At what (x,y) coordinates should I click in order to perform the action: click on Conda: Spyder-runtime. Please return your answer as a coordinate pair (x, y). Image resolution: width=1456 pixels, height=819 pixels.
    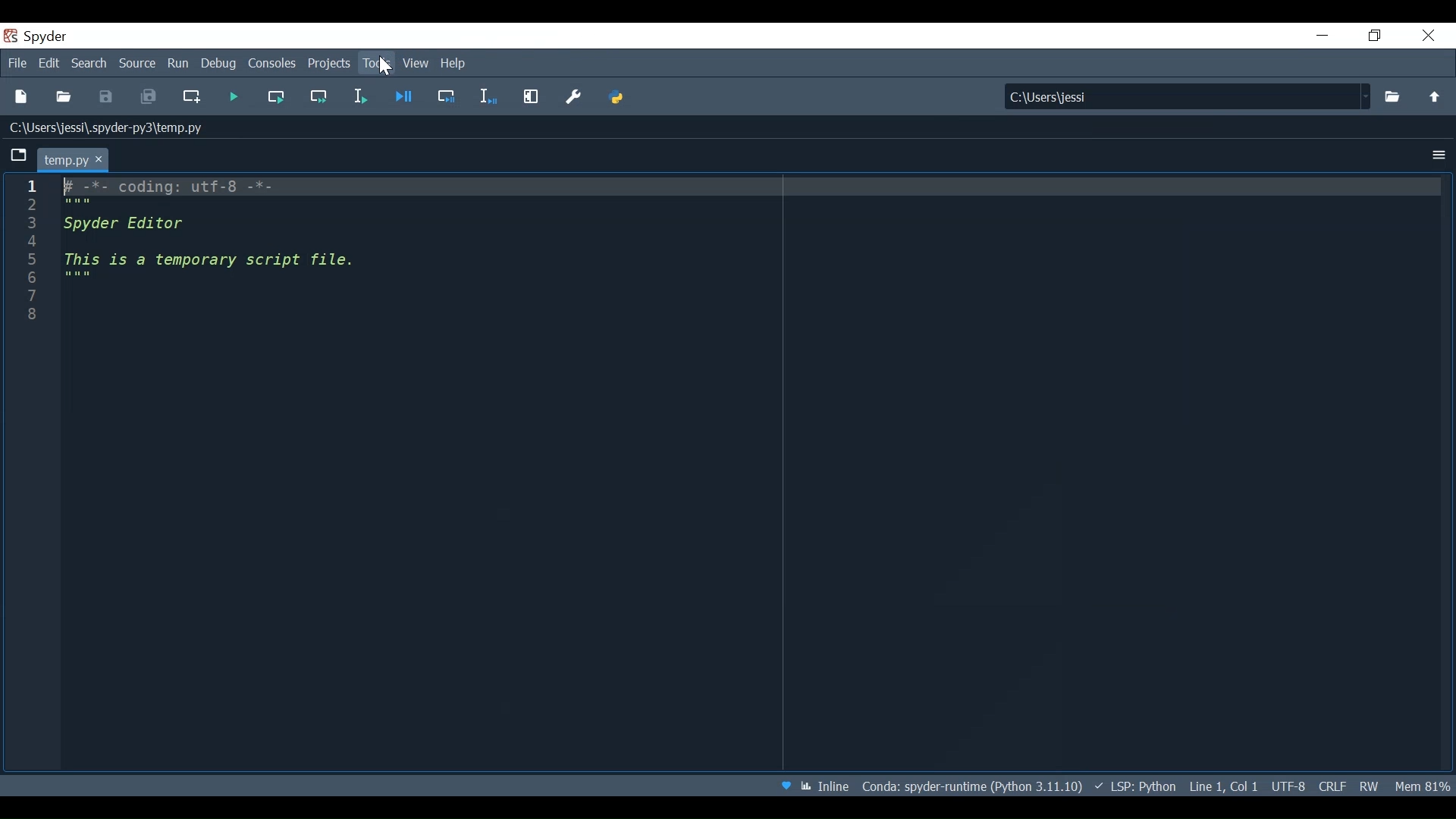
    Looking at the image, I should click on (971, 786).